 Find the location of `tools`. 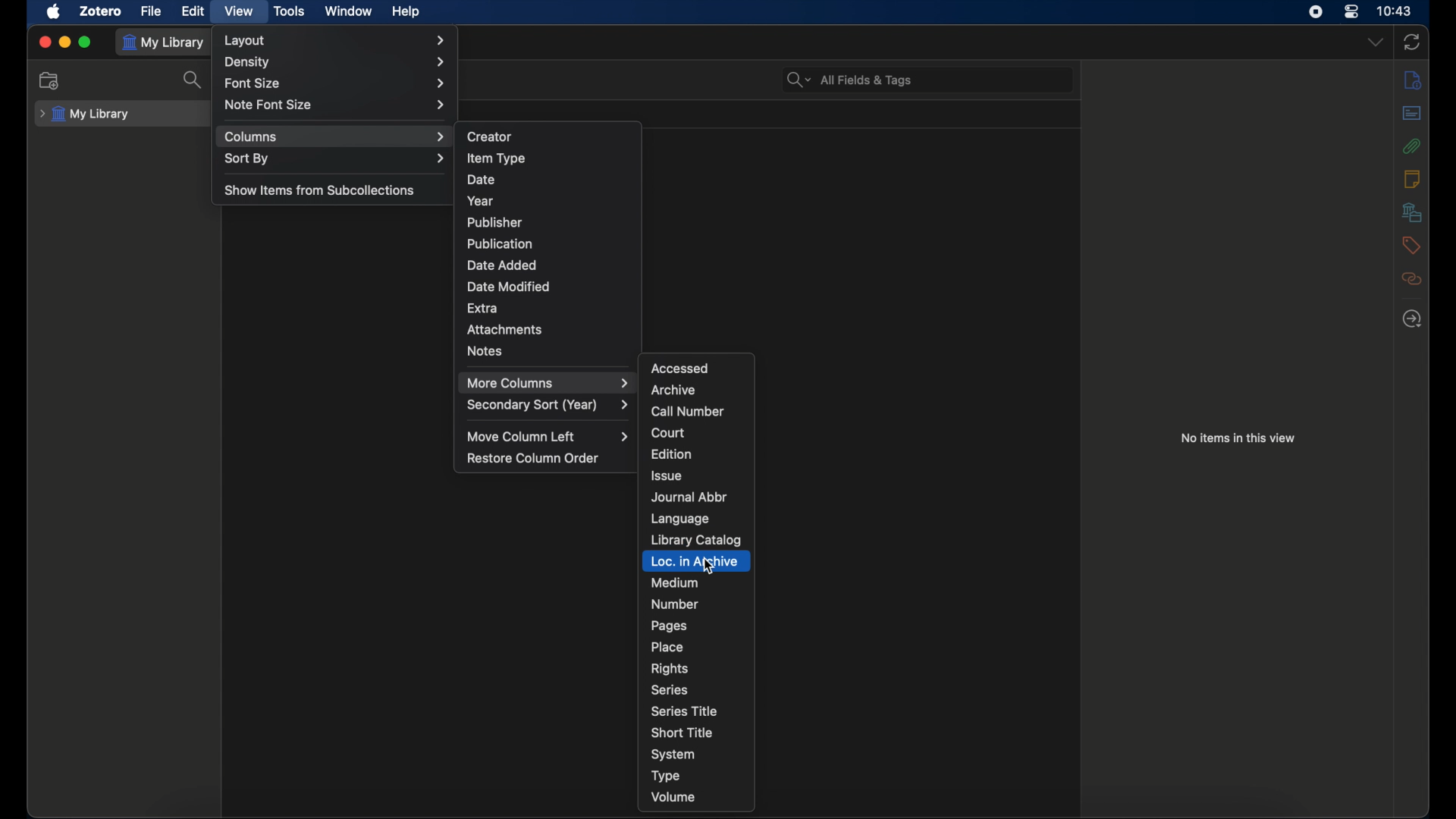

tools is located at coordinates (290, 11).